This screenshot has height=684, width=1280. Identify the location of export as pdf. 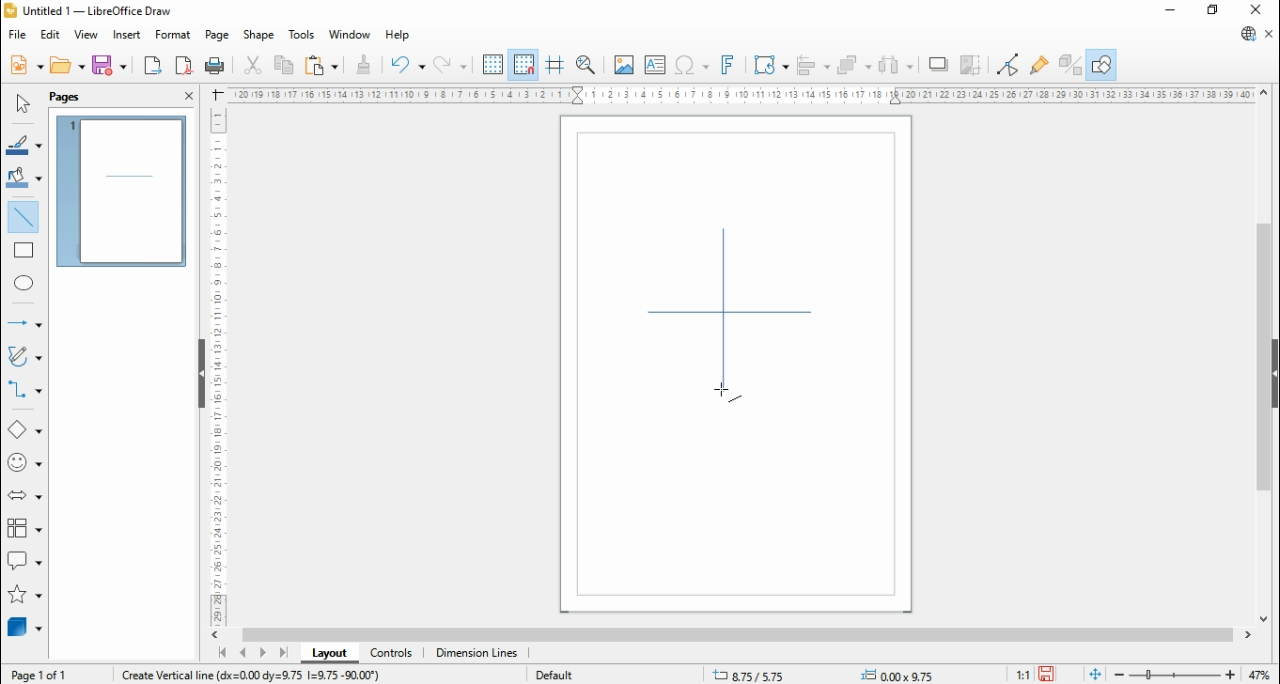
(185, 66).